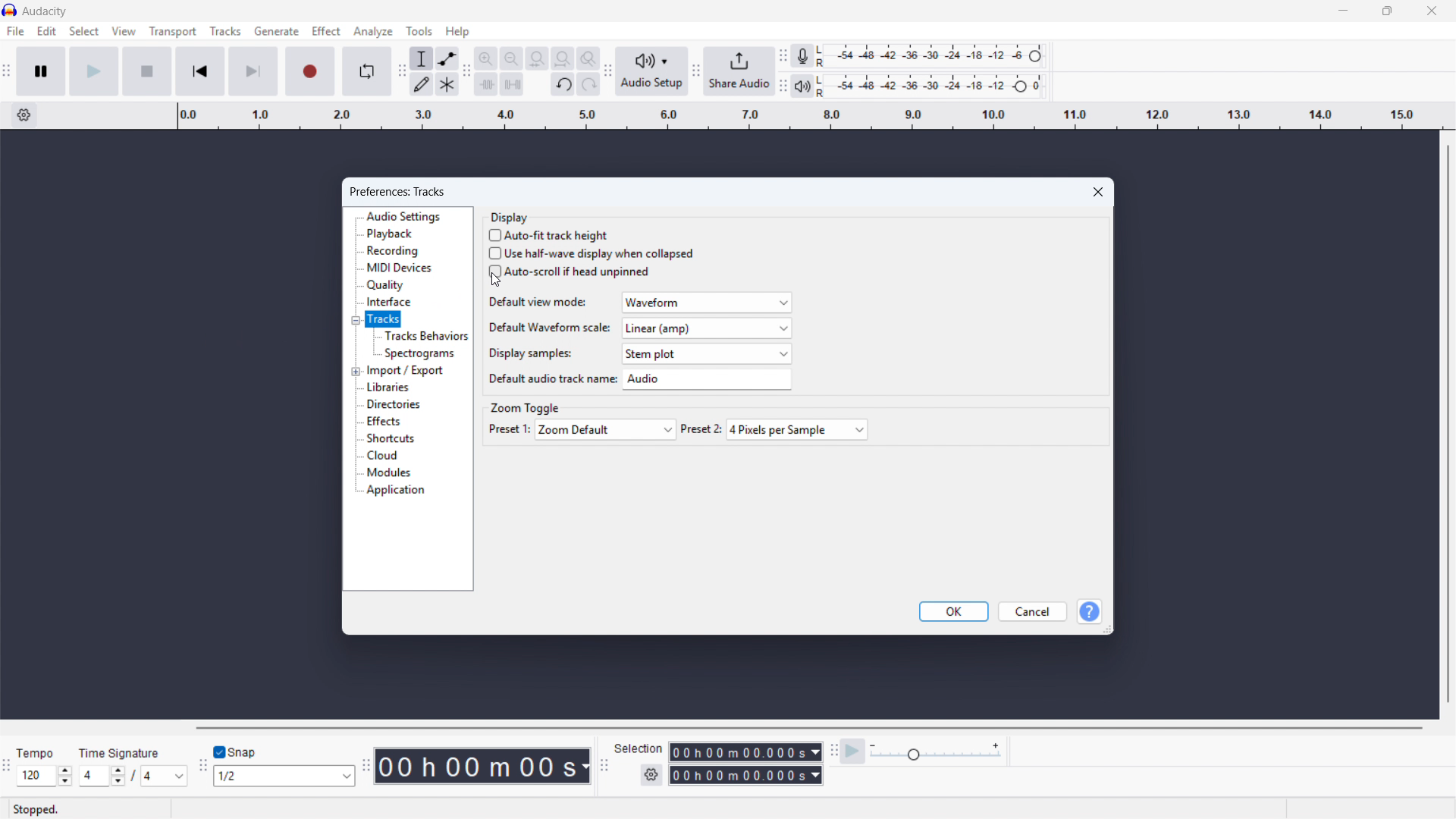  What do you see at coordinates (383, 320) in the screenshot?
I see `tracks` at bounding box center [383, 320].